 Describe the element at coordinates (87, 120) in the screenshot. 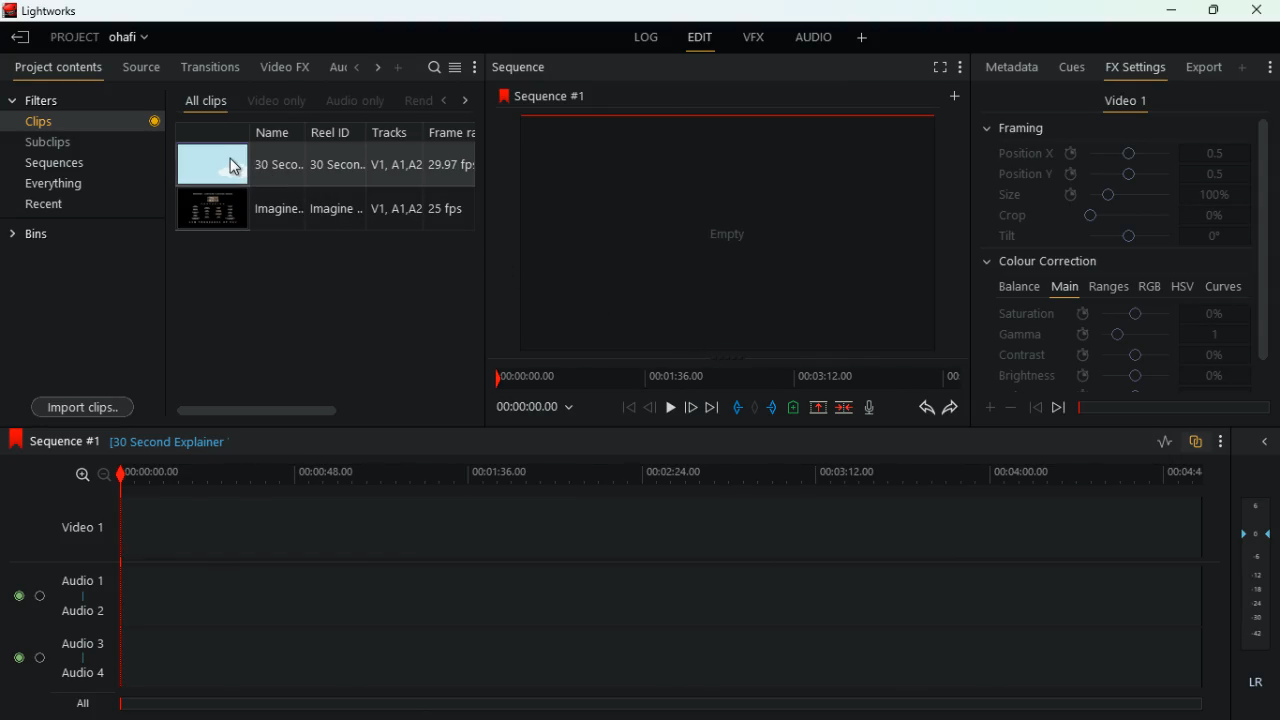

I see `clips` at that location.